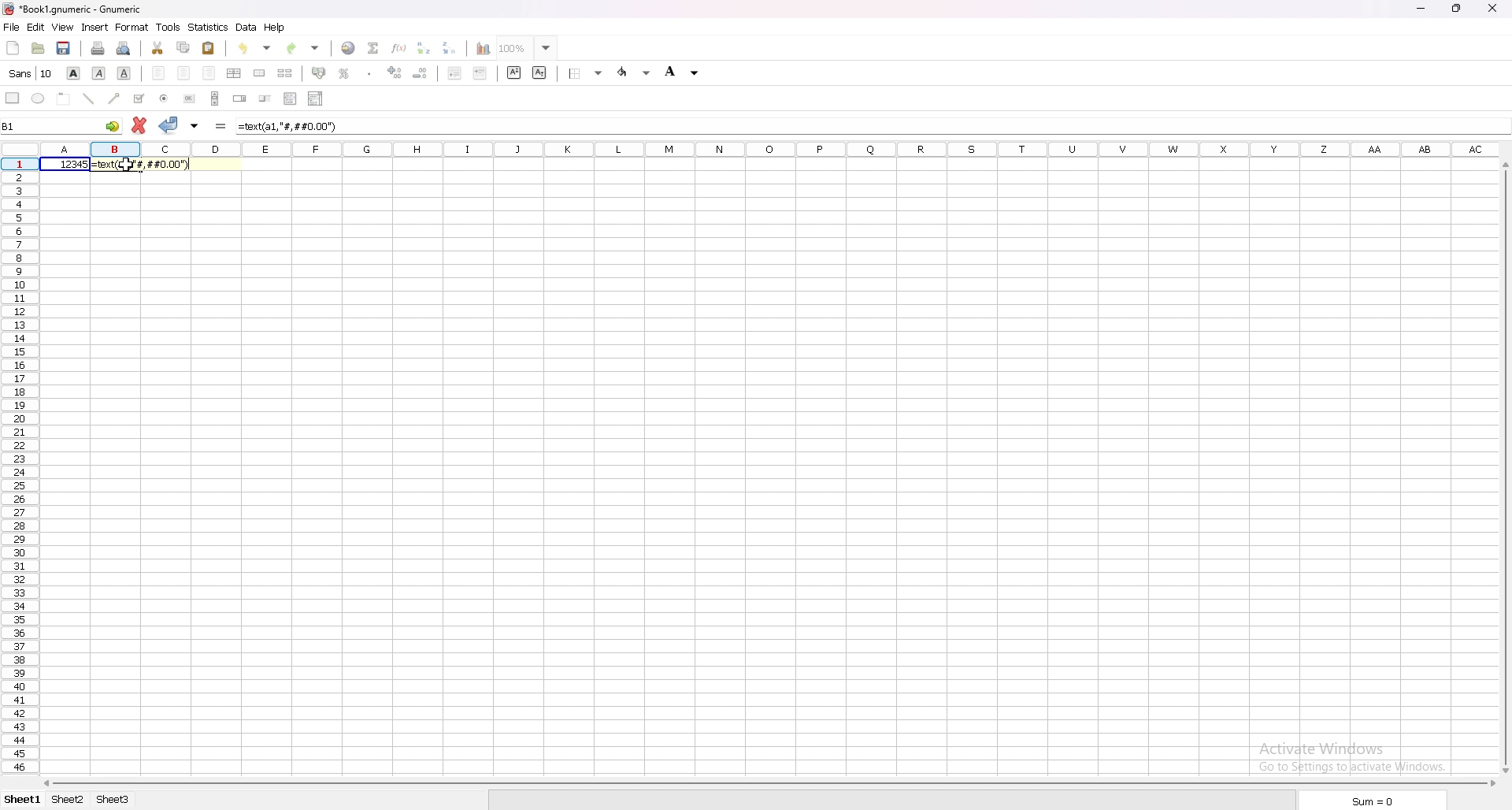 The height and width of the screenshot is (810, 1512). What do you see at coordinates (139, 99) in the screenshot?
I see `tickbox` at bounding box center [139, 99].